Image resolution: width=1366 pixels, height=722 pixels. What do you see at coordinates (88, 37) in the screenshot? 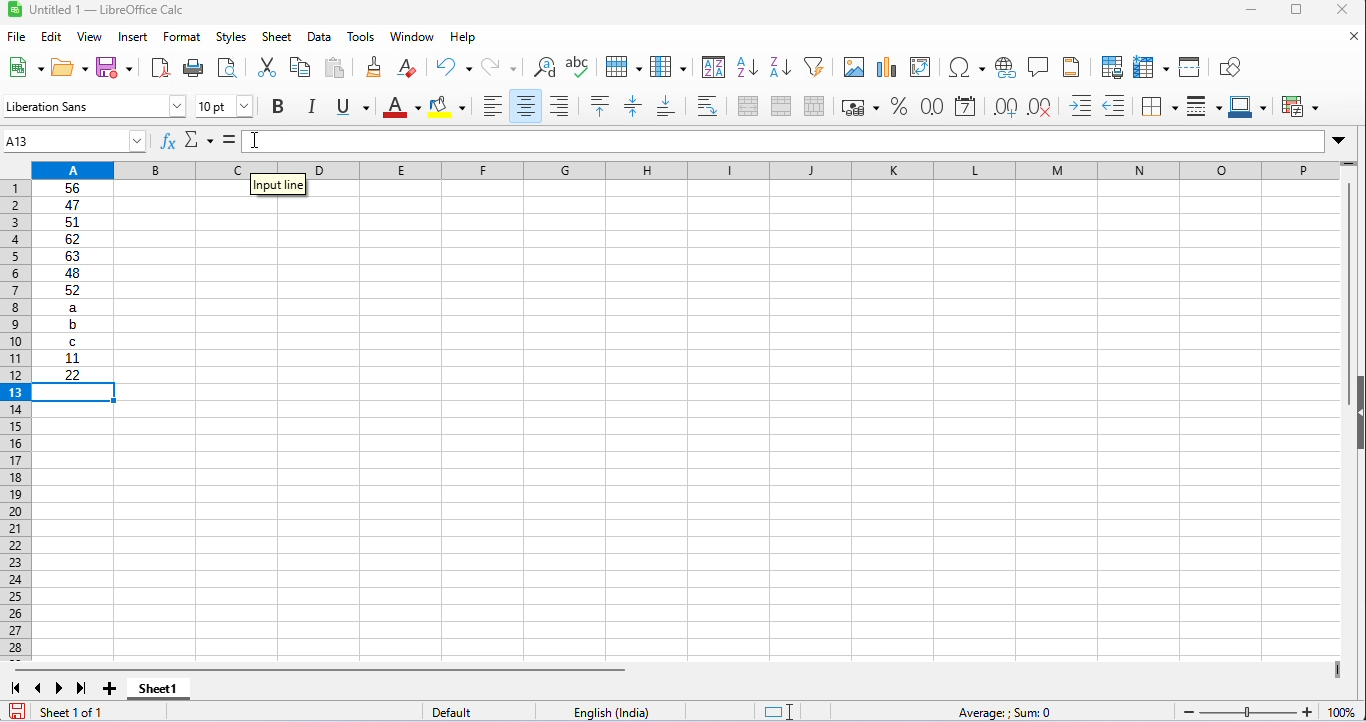
I see `view` at bounding box center [88, 37].